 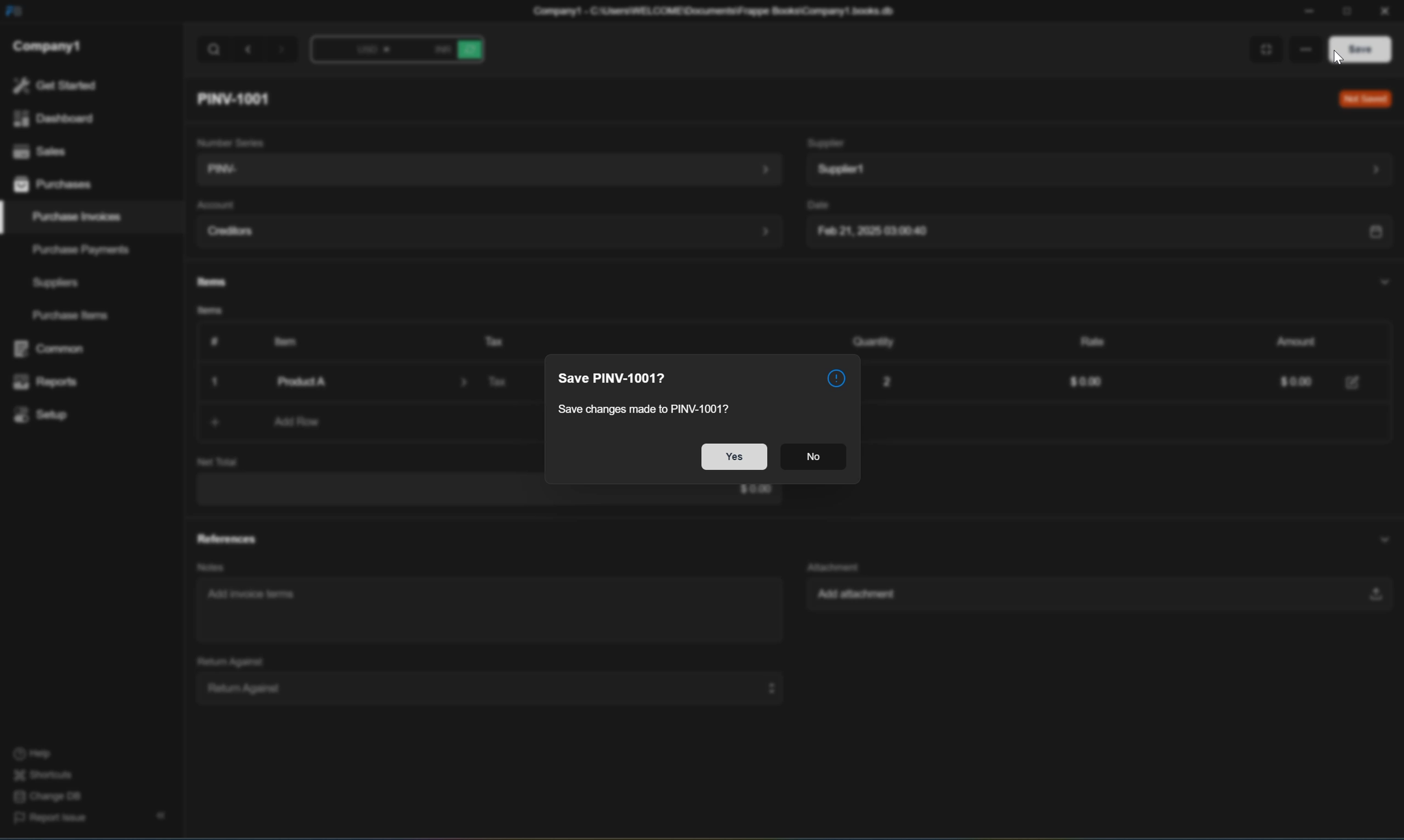 What do you see at coordinates (55, 283) in the screenshot?
I see `suppliers` at bounding box center [55, 283].